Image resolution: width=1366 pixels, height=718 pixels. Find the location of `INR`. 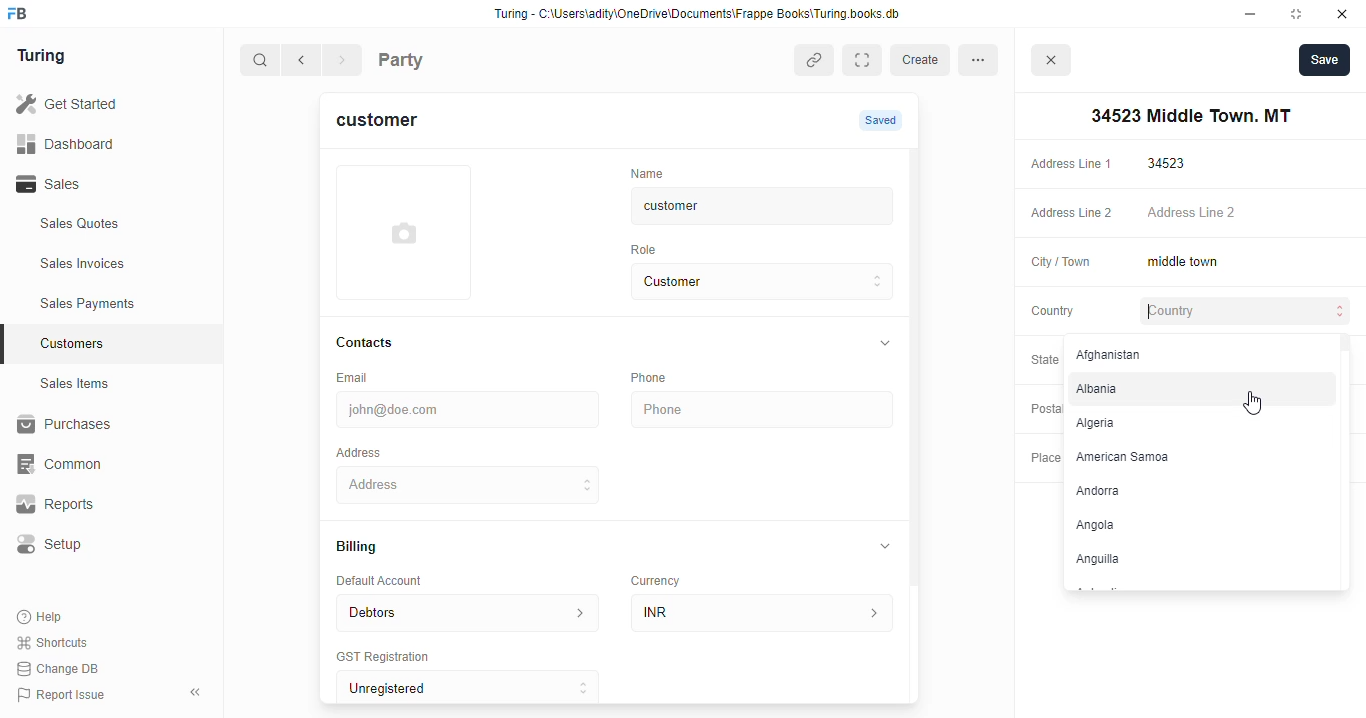

INR is located at coordinates (766, 612).